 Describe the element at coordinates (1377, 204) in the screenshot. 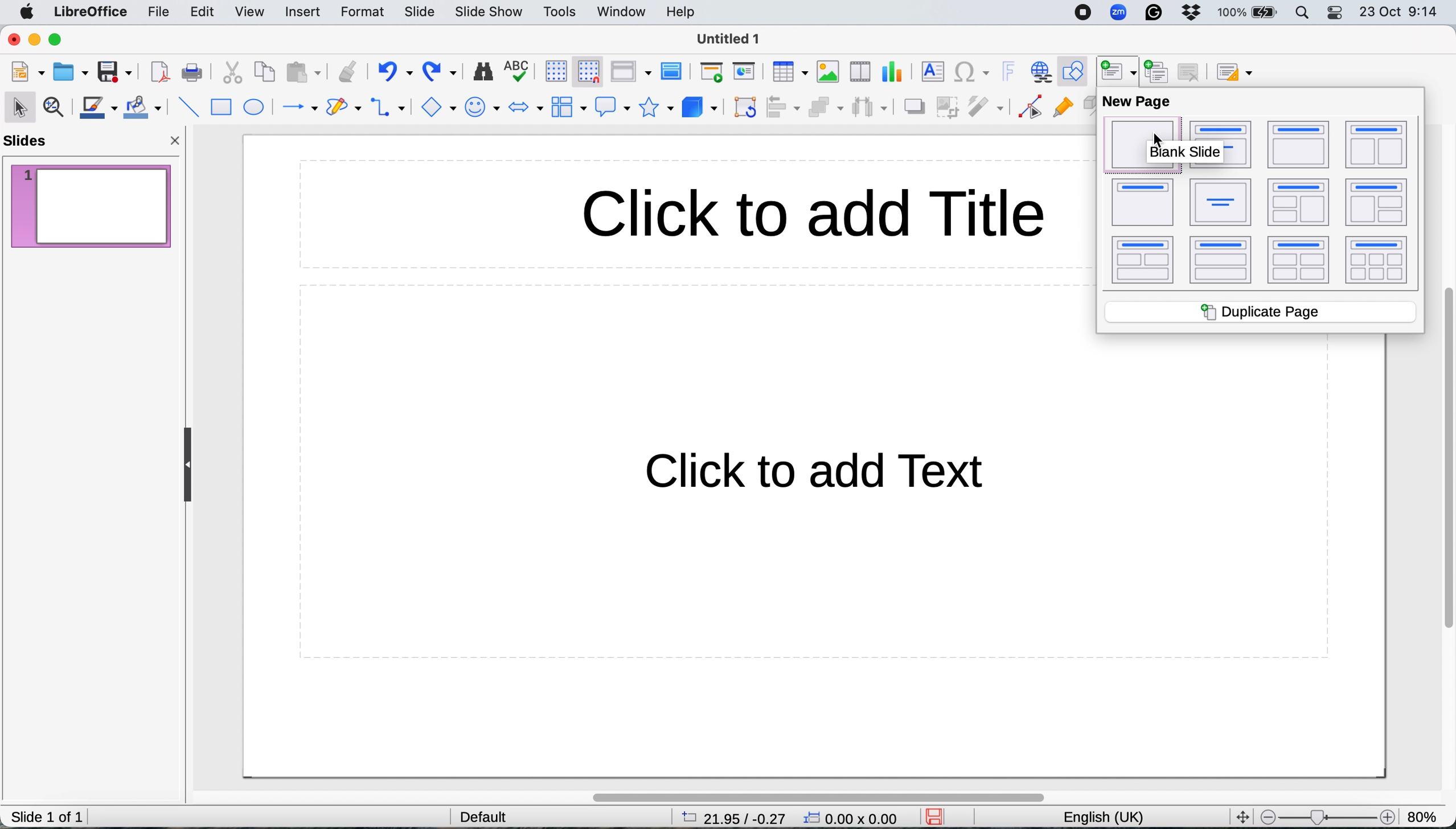

I see `title, content, 2 content` at that location.